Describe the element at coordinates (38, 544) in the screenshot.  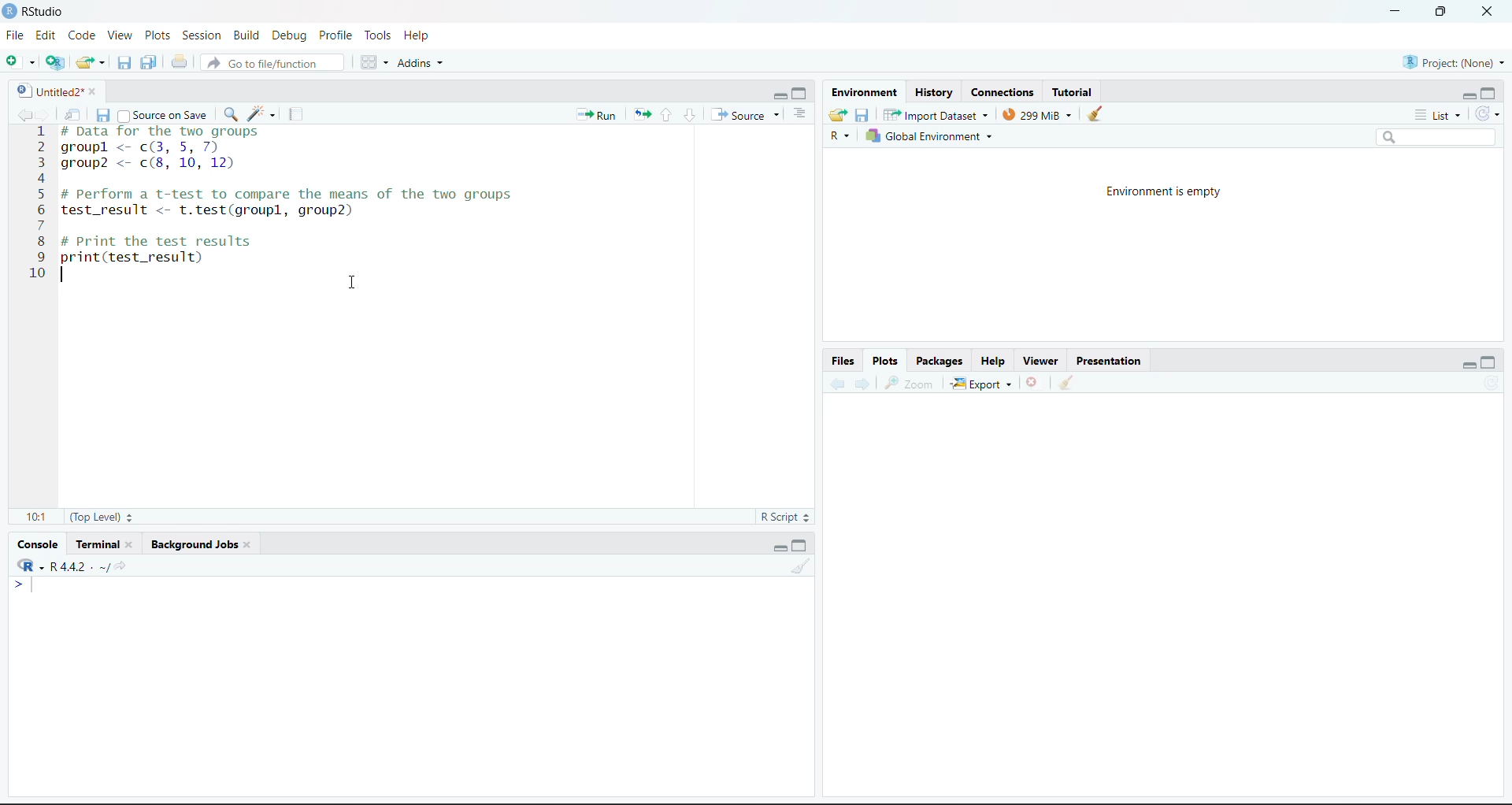
I see `Console` at that location.